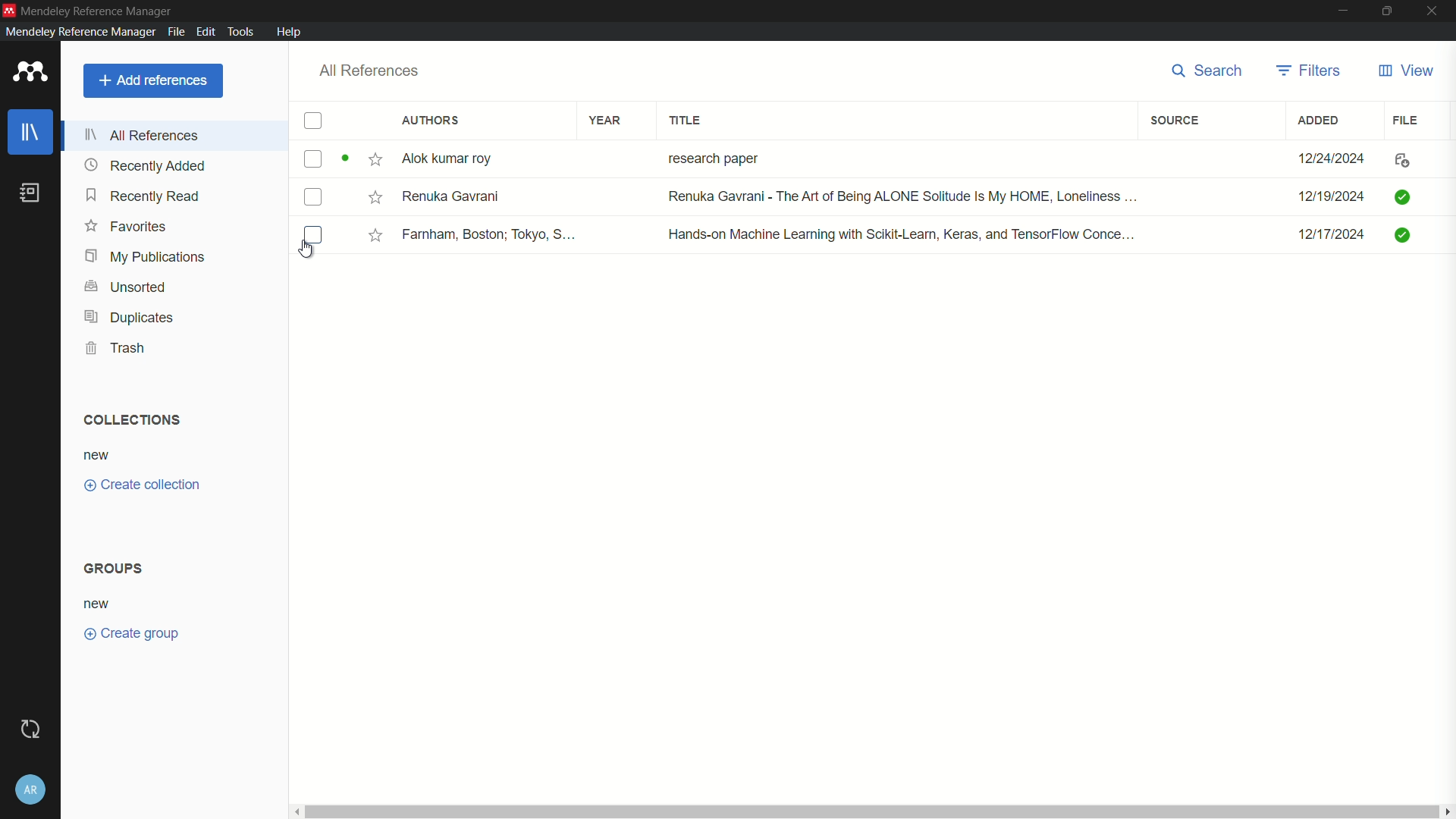 This screenshot has height=819, width=1456. What do you see at coordinates (875, 809) in the screenshot?
I see `Scroll Bar` at bounding box center [875, 809].